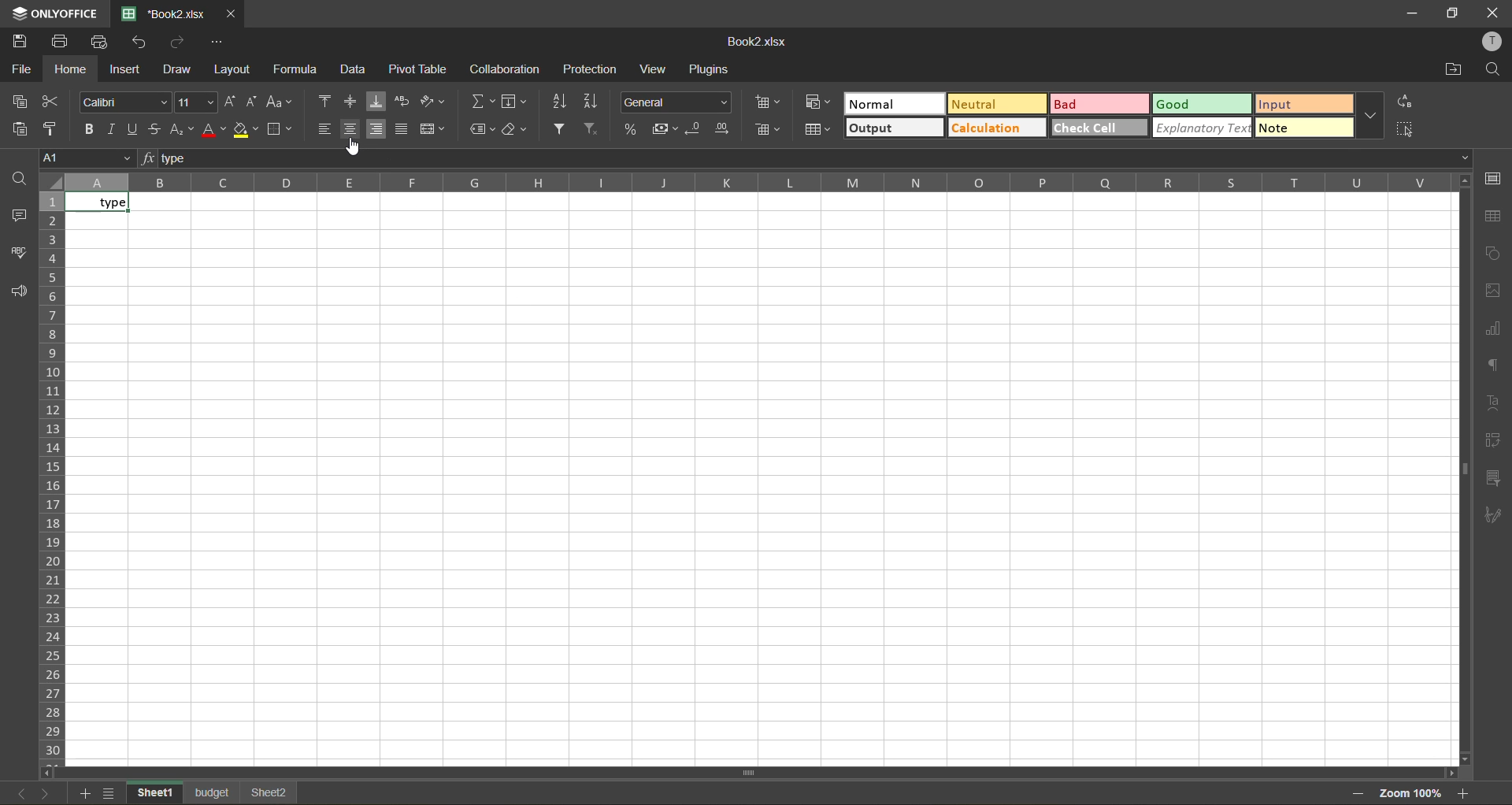 Image resolution: width=1512 pixels, height=805 pixels. What do you see at coordinates (1449, 772) in the screenshot?
I see `move right` at bounding box center [1449, 772].